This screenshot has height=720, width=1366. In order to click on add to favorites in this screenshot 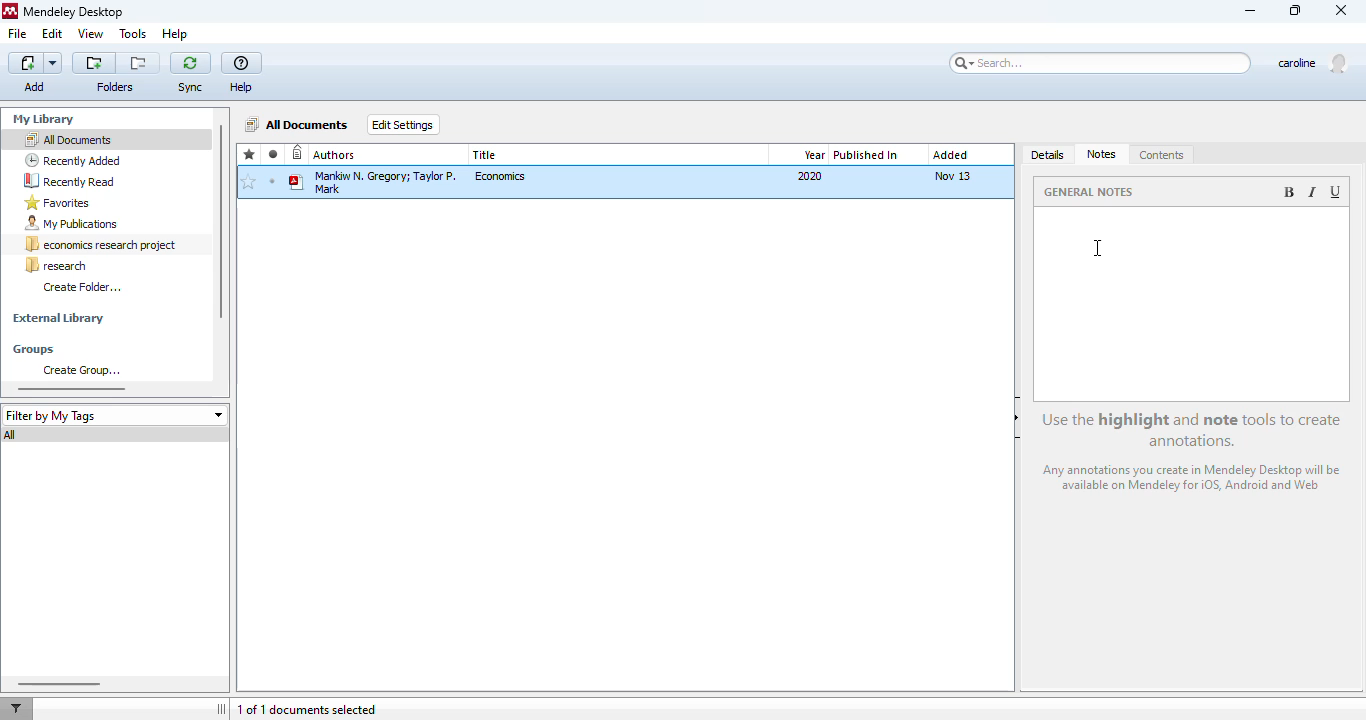, I will do `click(248, 183)`.